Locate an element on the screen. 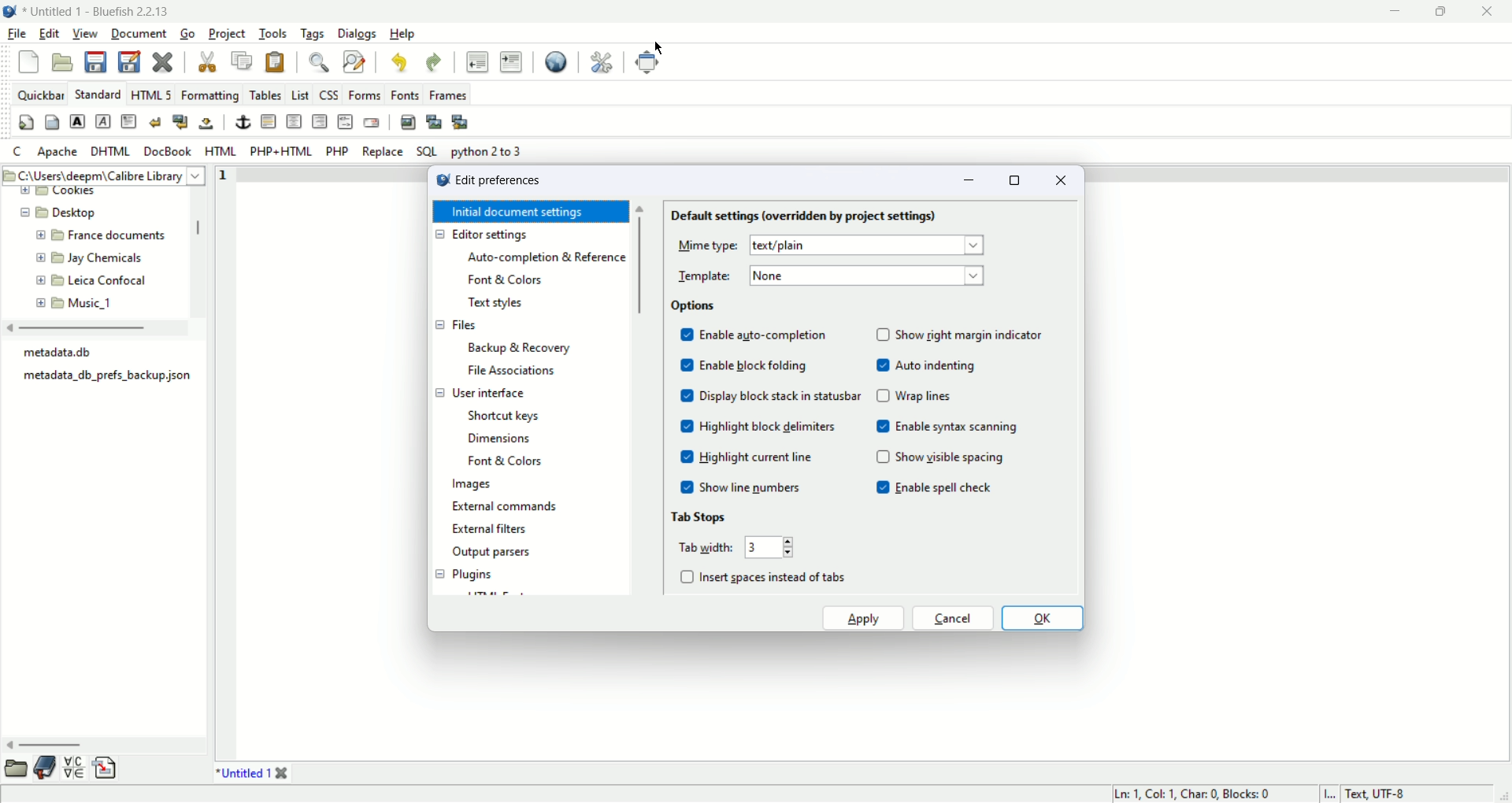  Text width input is located at coordinates (769, 546).